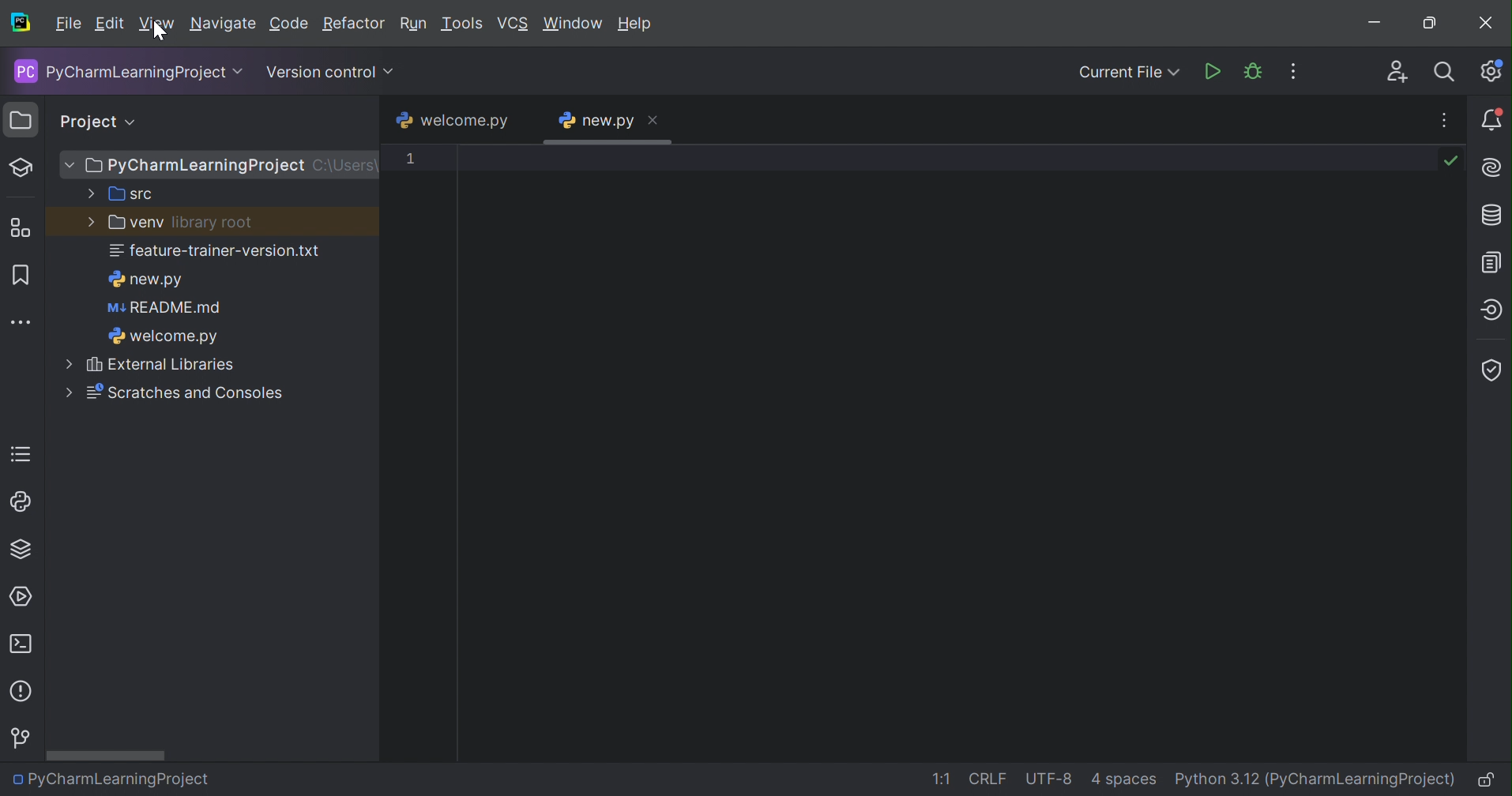 This screenshot has height=796, width=1512. What do you see at coordinates (1488, 24) in the screenshot?
I see `Close` at bounding box center [1488, 24].